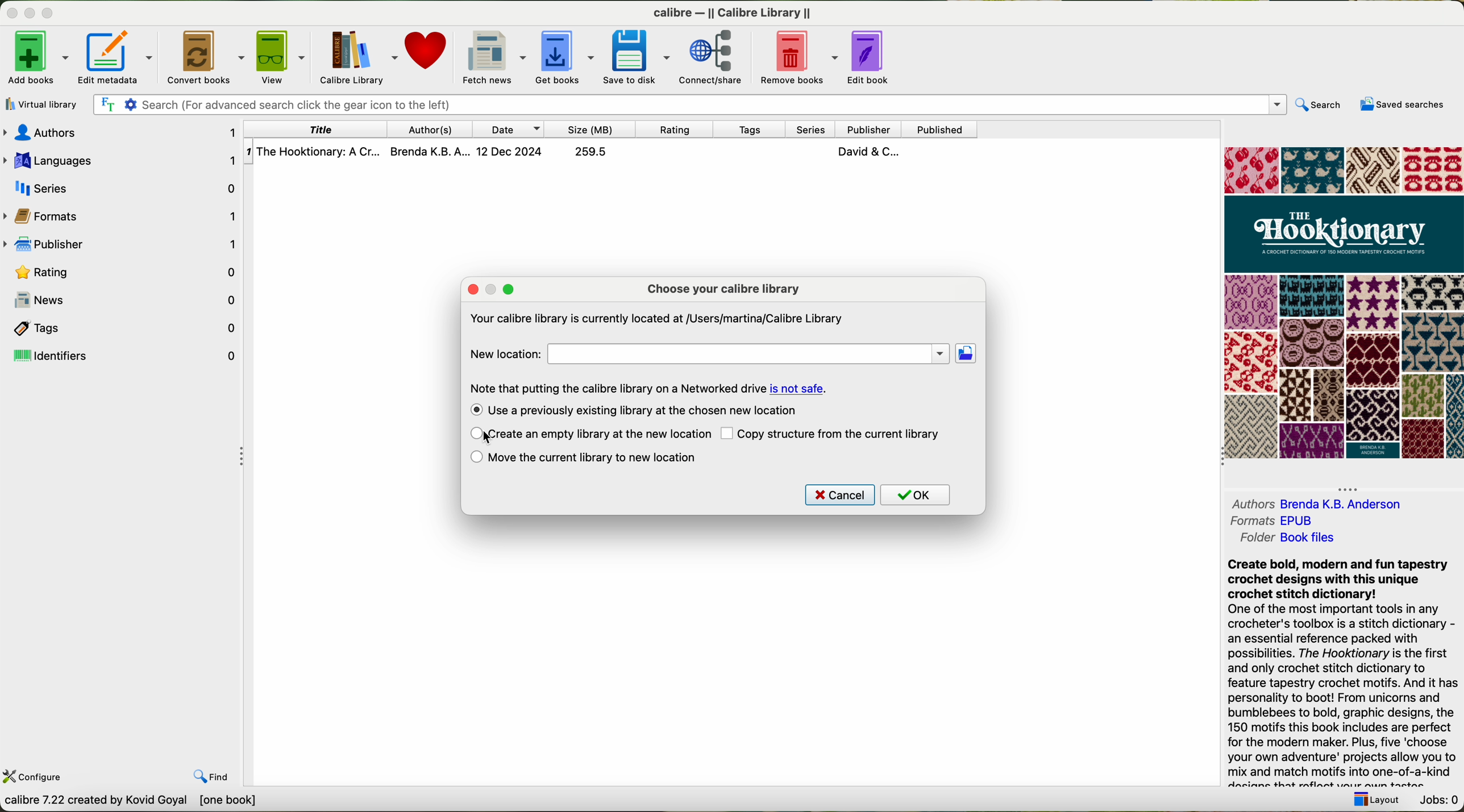 The image size is (1464, 812). Describe the element at coordinates (40, 105) in the screenshot. I see `virtual library` at that location.